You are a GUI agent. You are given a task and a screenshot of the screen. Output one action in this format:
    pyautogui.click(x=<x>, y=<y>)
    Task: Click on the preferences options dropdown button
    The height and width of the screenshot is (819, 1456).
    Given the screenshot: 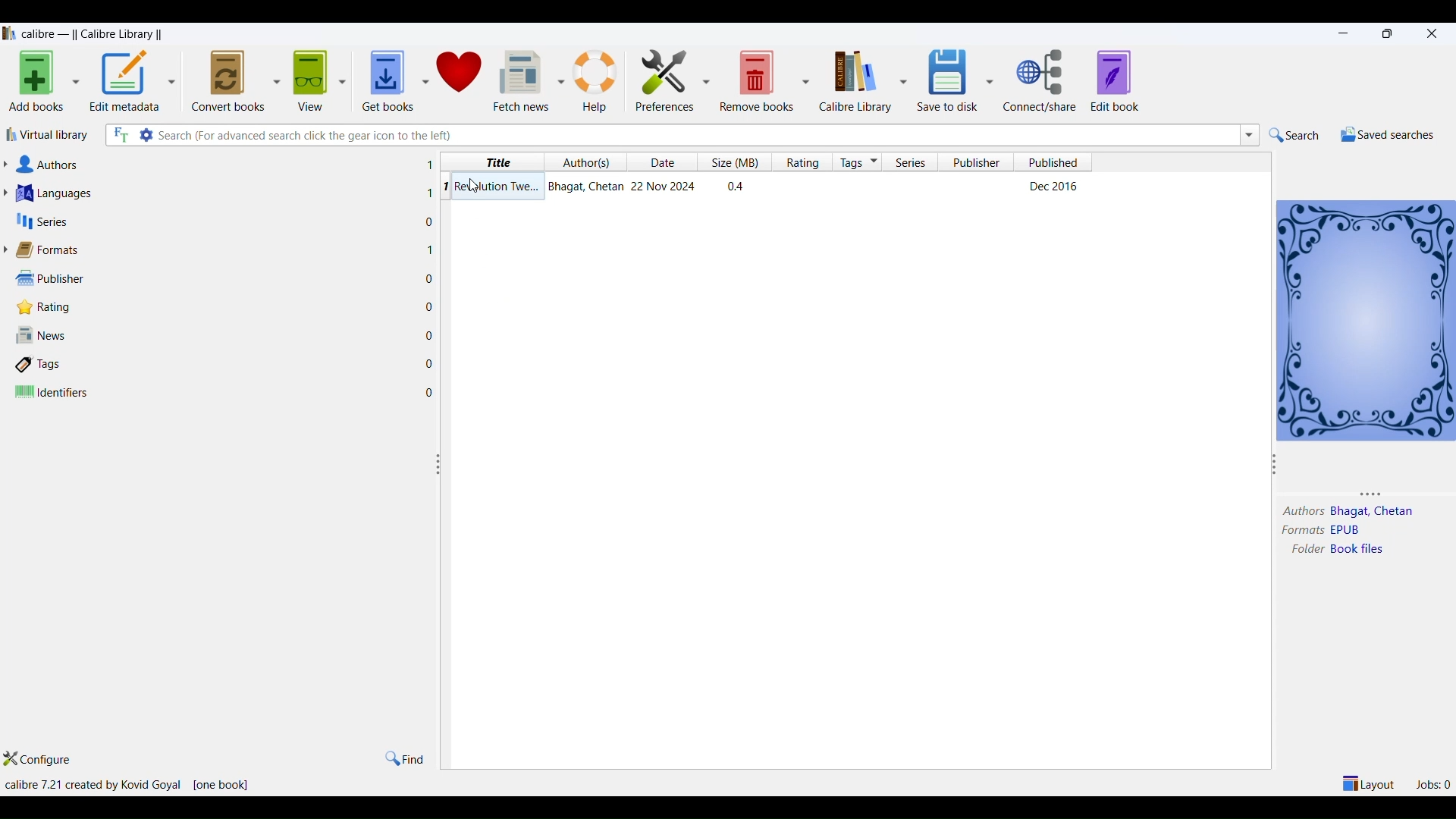 What is the action you would take?
    pyautogui.click(x=708, y=80)
    